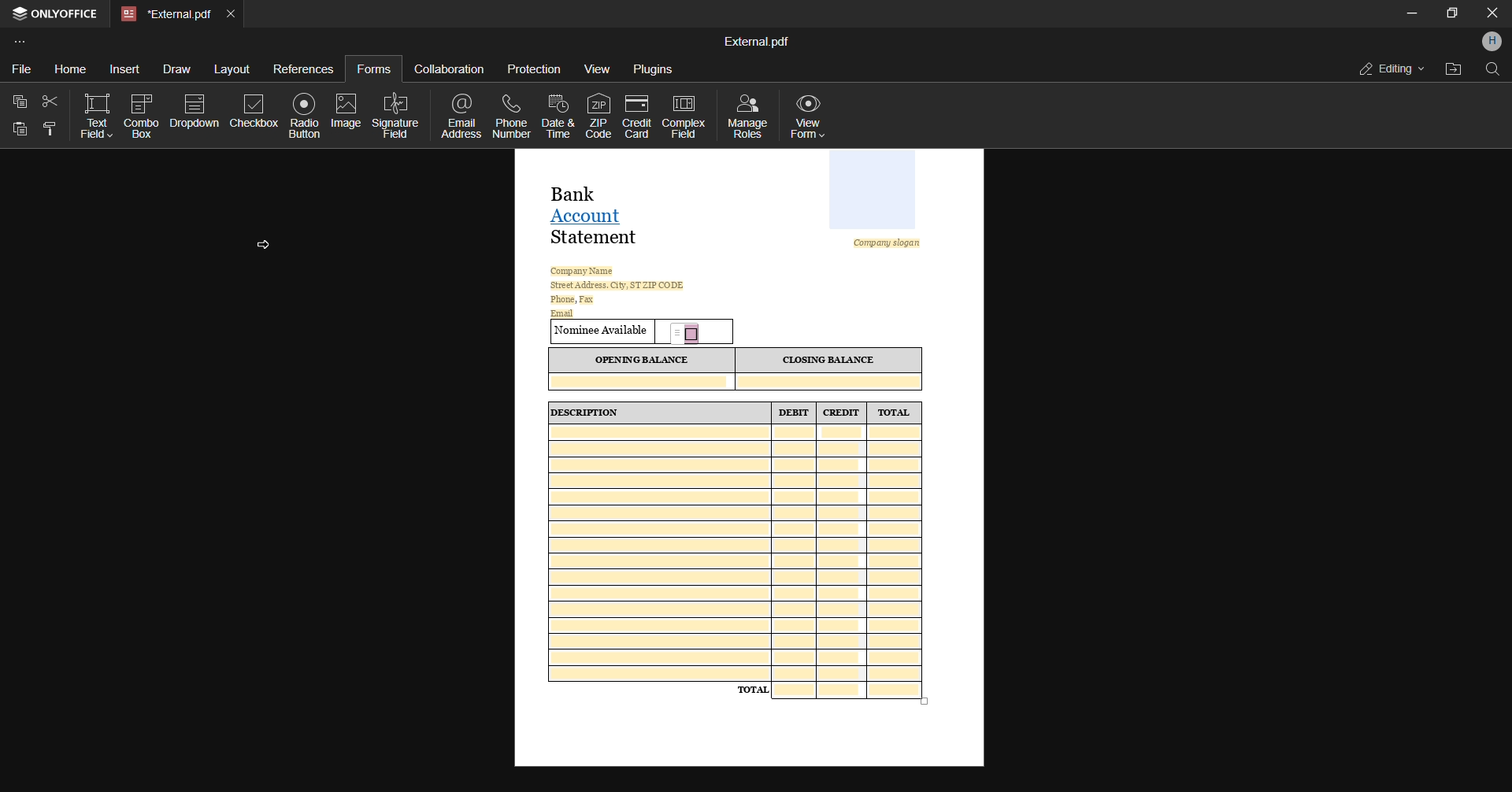 This screenshot has height=792, width=1512. Describe the element at coordinates (1492, 42) in the screenshot. I see `profle` at that location.